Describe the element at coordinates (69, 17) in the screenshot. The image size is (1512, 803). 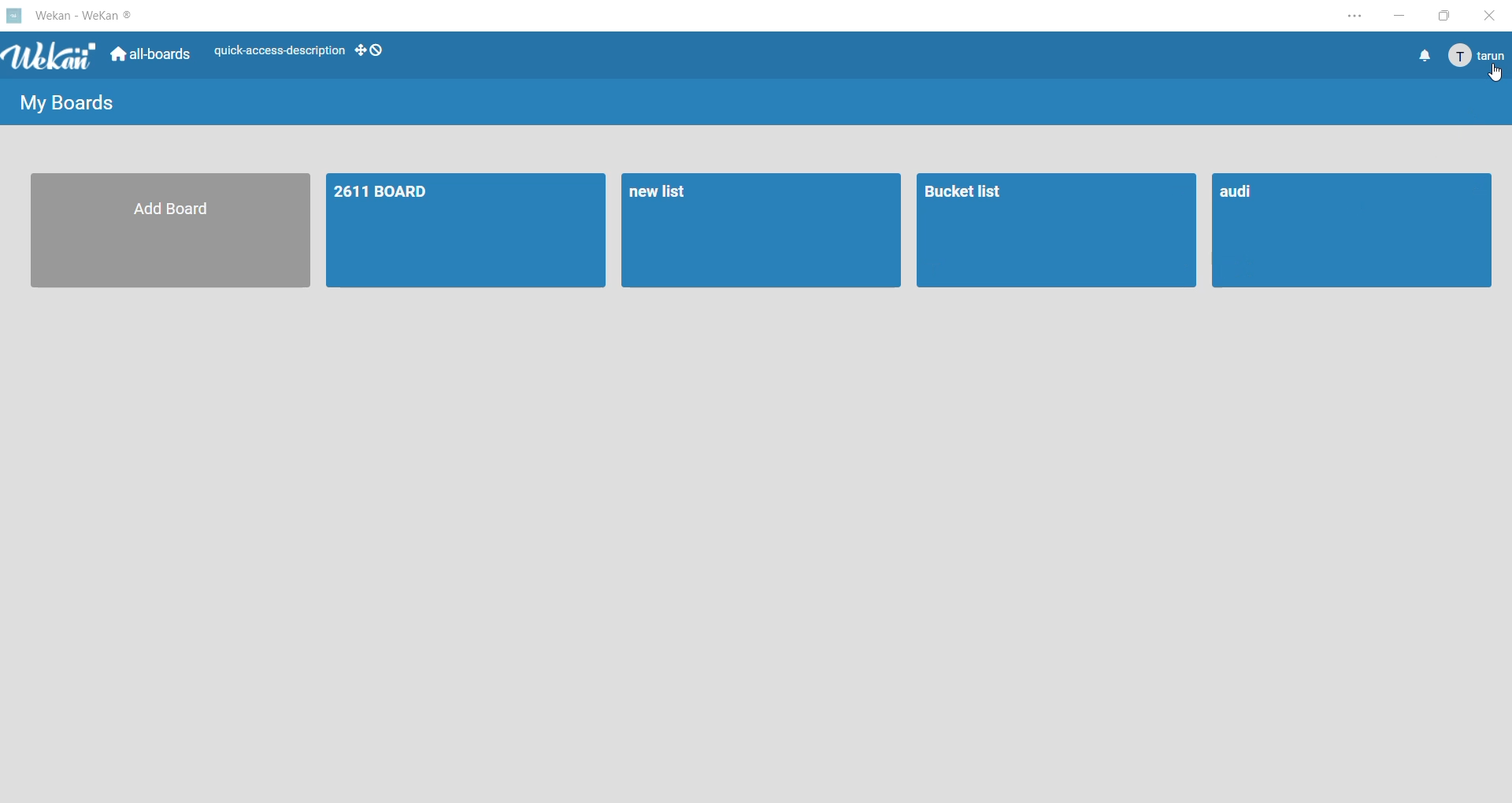
I see `wekan- wekan` at that location.